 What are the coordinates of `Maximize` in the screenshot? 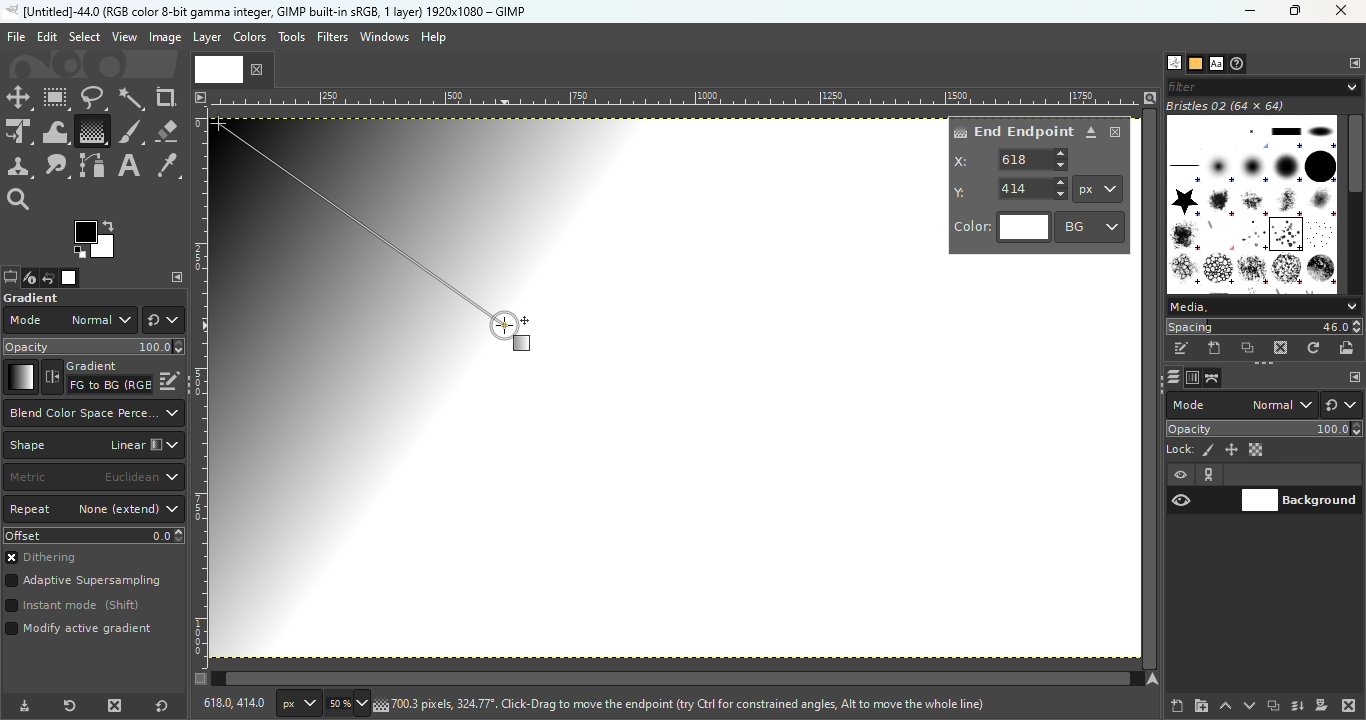 It's located at (1300, 11).